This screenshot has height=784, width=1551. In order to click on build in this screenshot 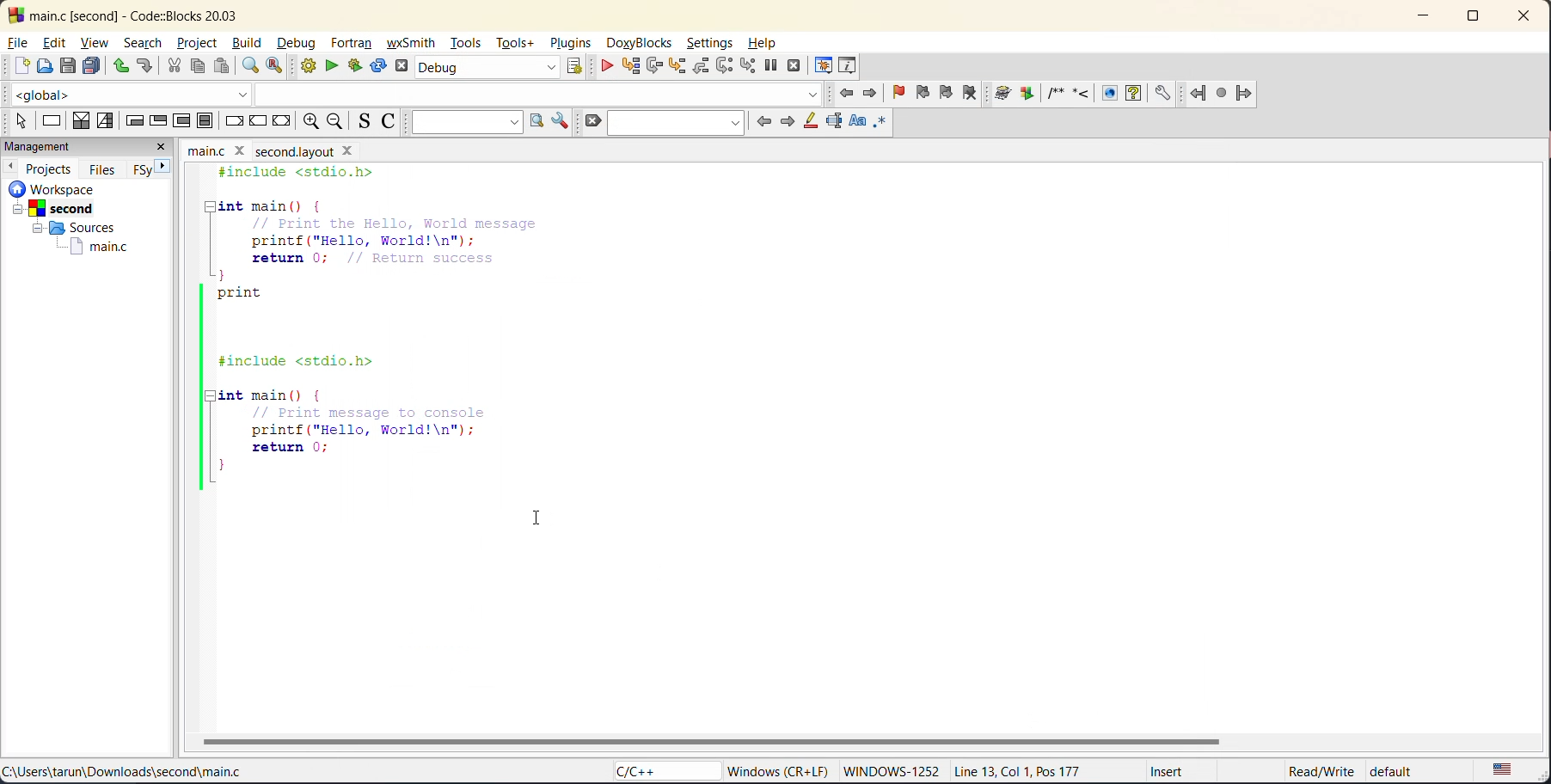, I will do `click(250, 43)`.